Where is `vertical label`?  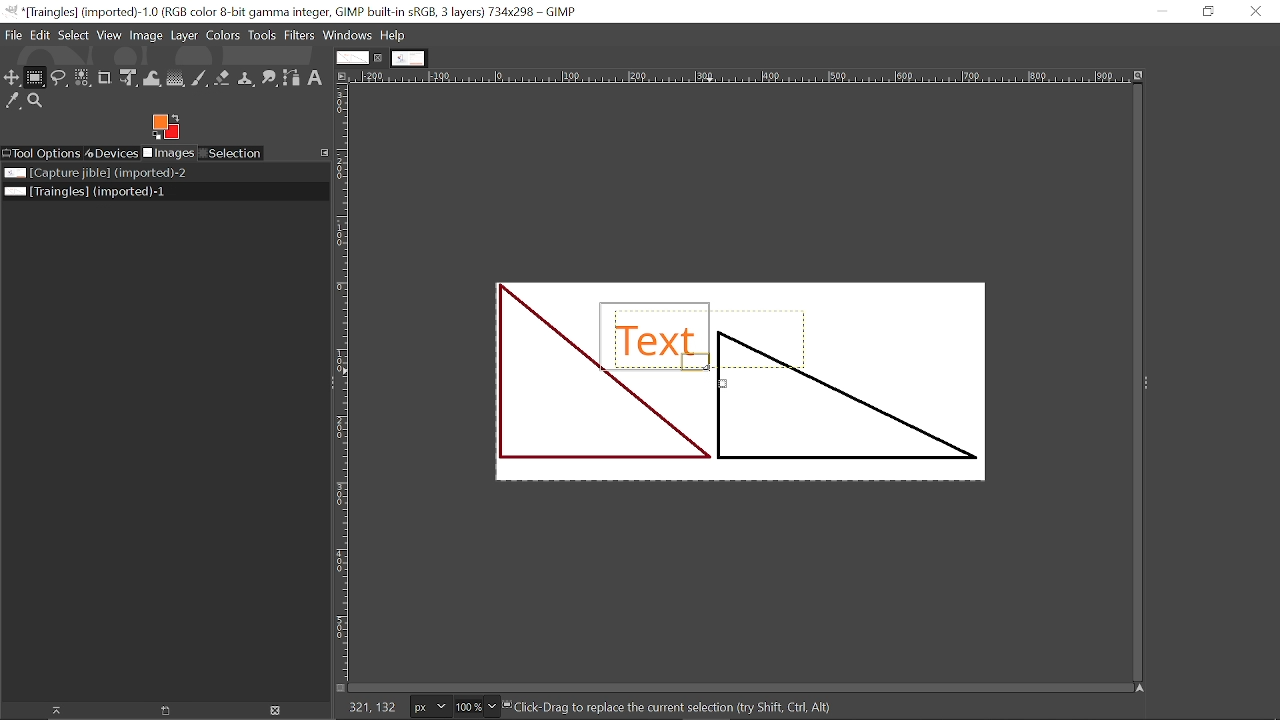 vertical label is located at coordinates (343, 384).